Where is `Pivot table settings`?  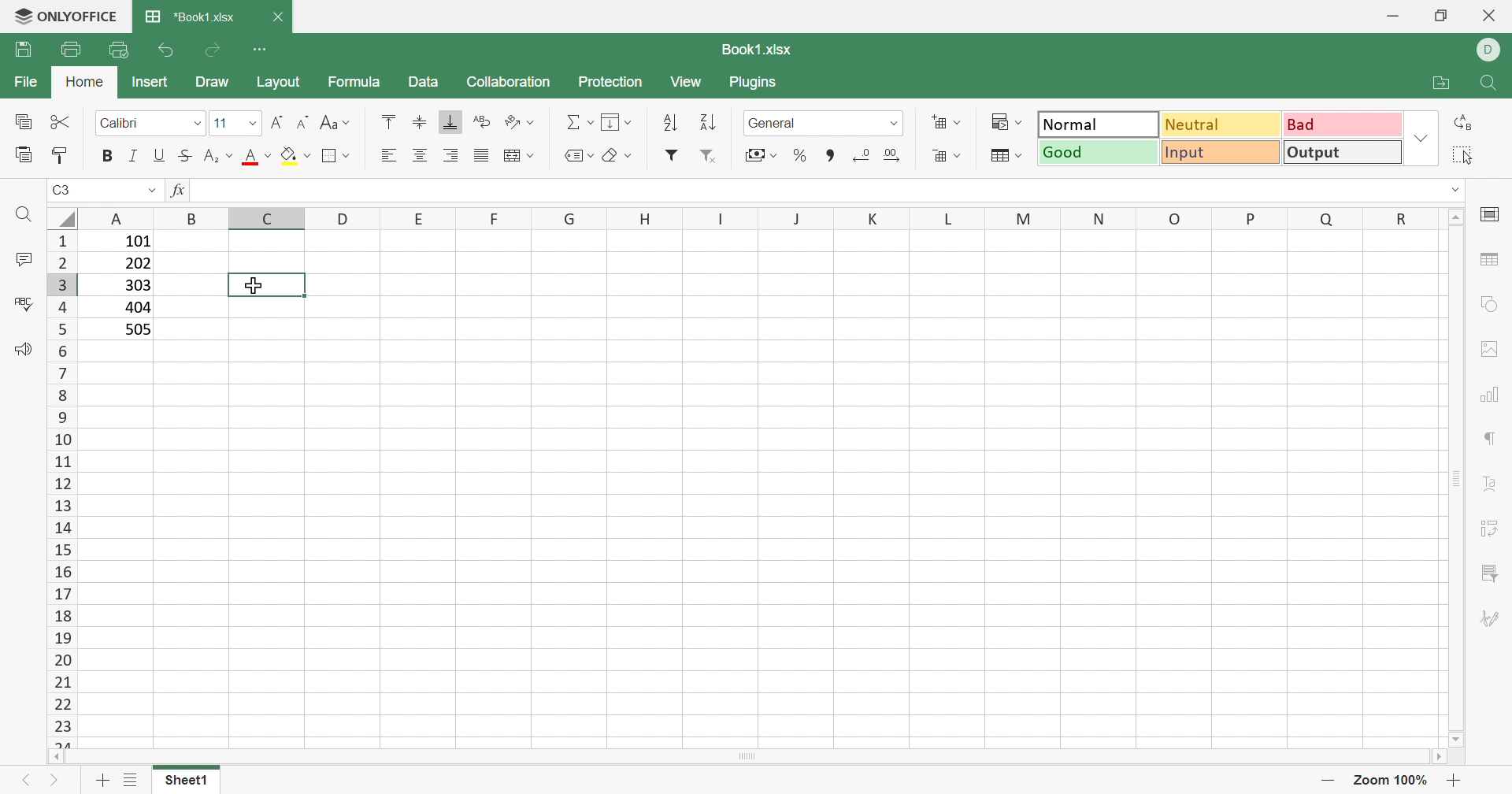
Pivot table settings is located at coordinates (1496, 532).